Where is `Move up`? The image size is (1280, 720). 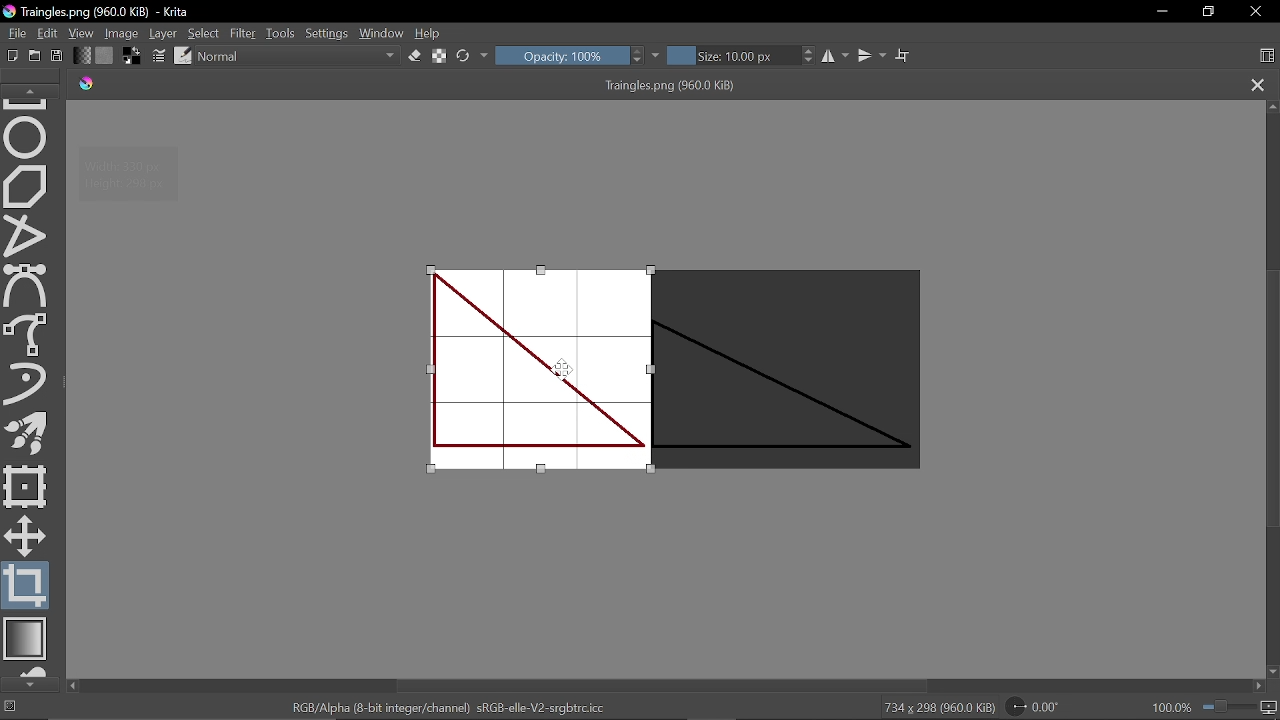 Move up is located at coordinates (1272, 106).